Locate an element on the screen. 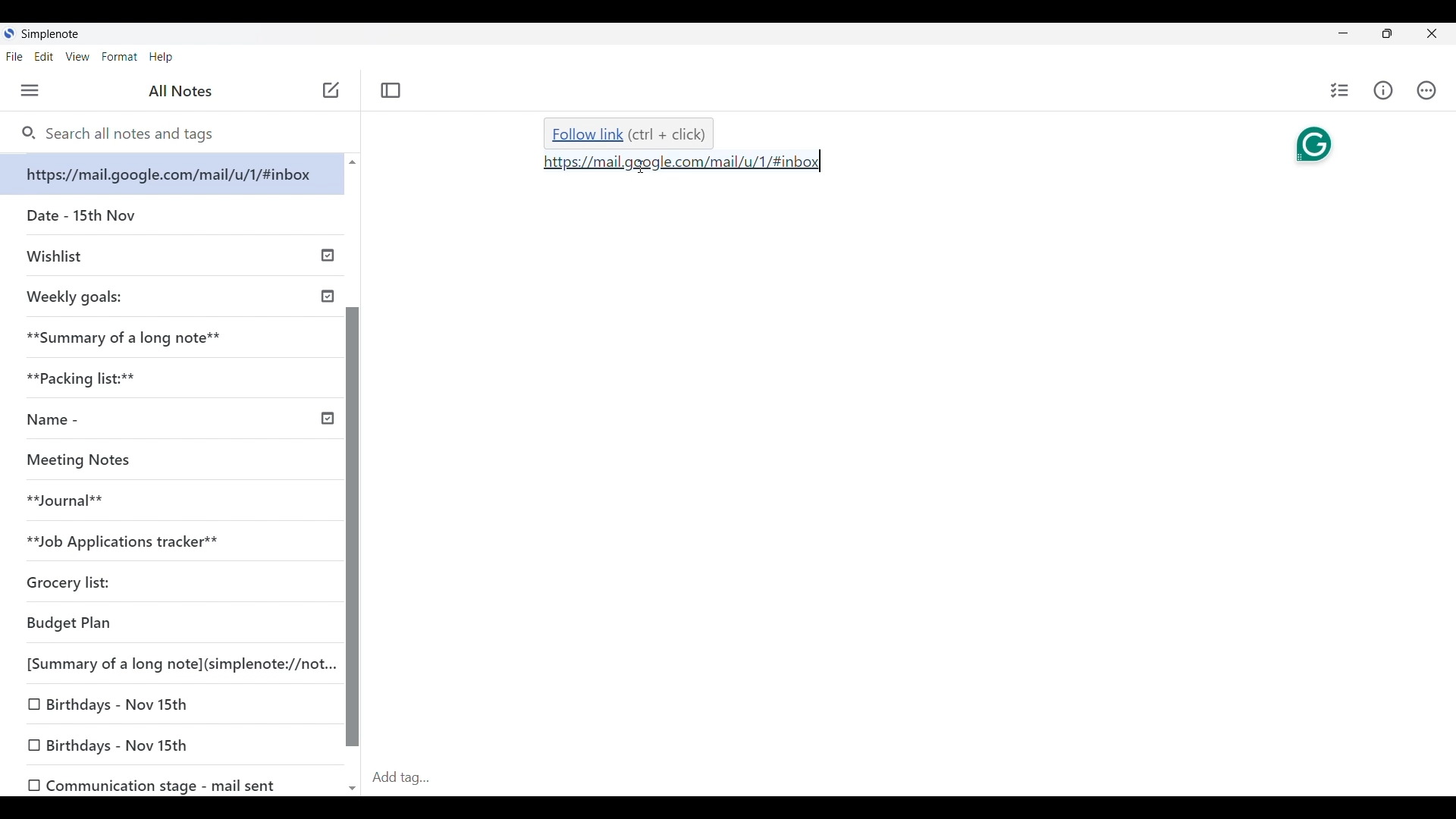  Minimize is located at coordinates (1343, 33).